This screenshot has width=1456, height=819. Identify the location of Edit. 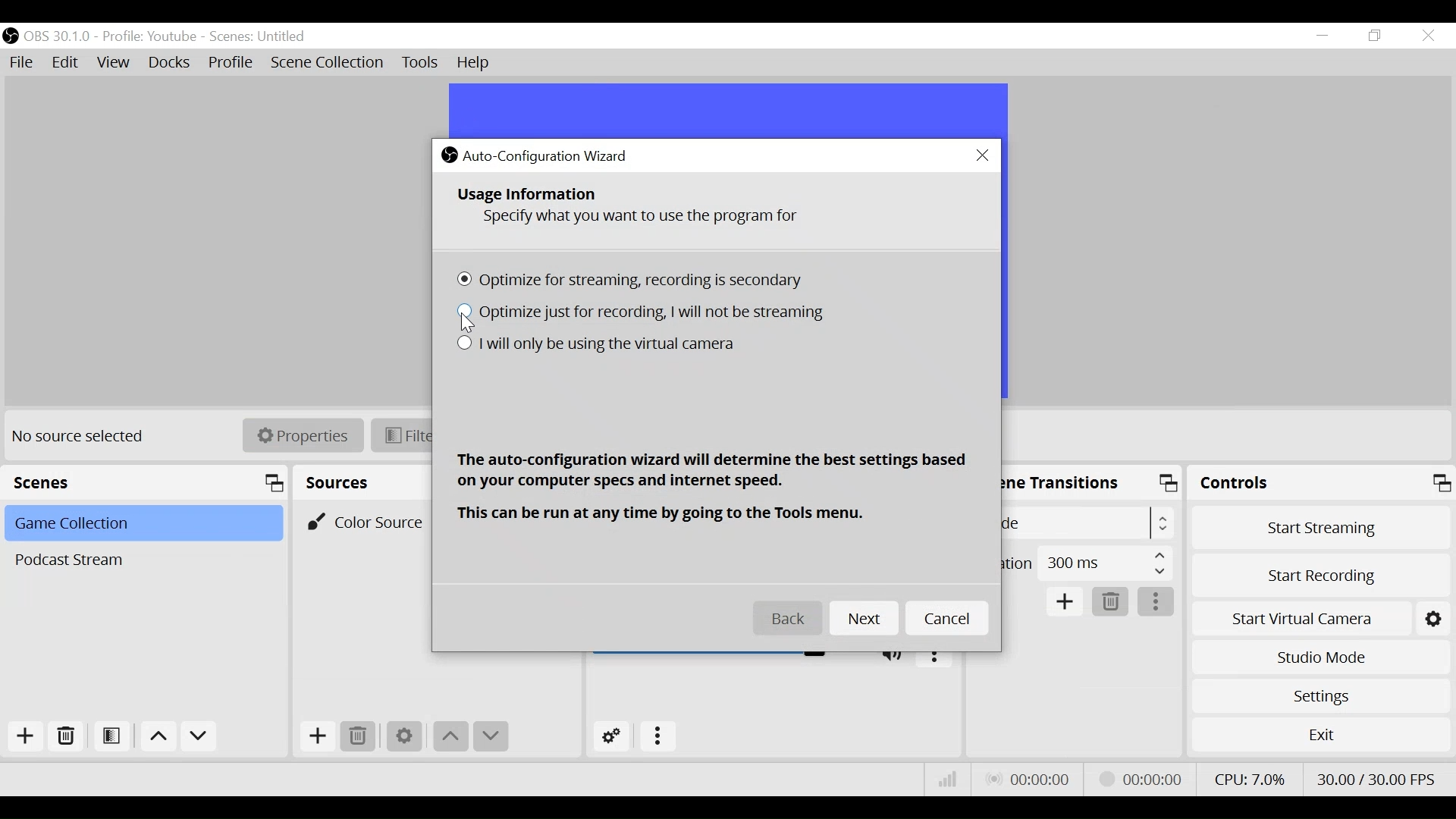
(67, 64).